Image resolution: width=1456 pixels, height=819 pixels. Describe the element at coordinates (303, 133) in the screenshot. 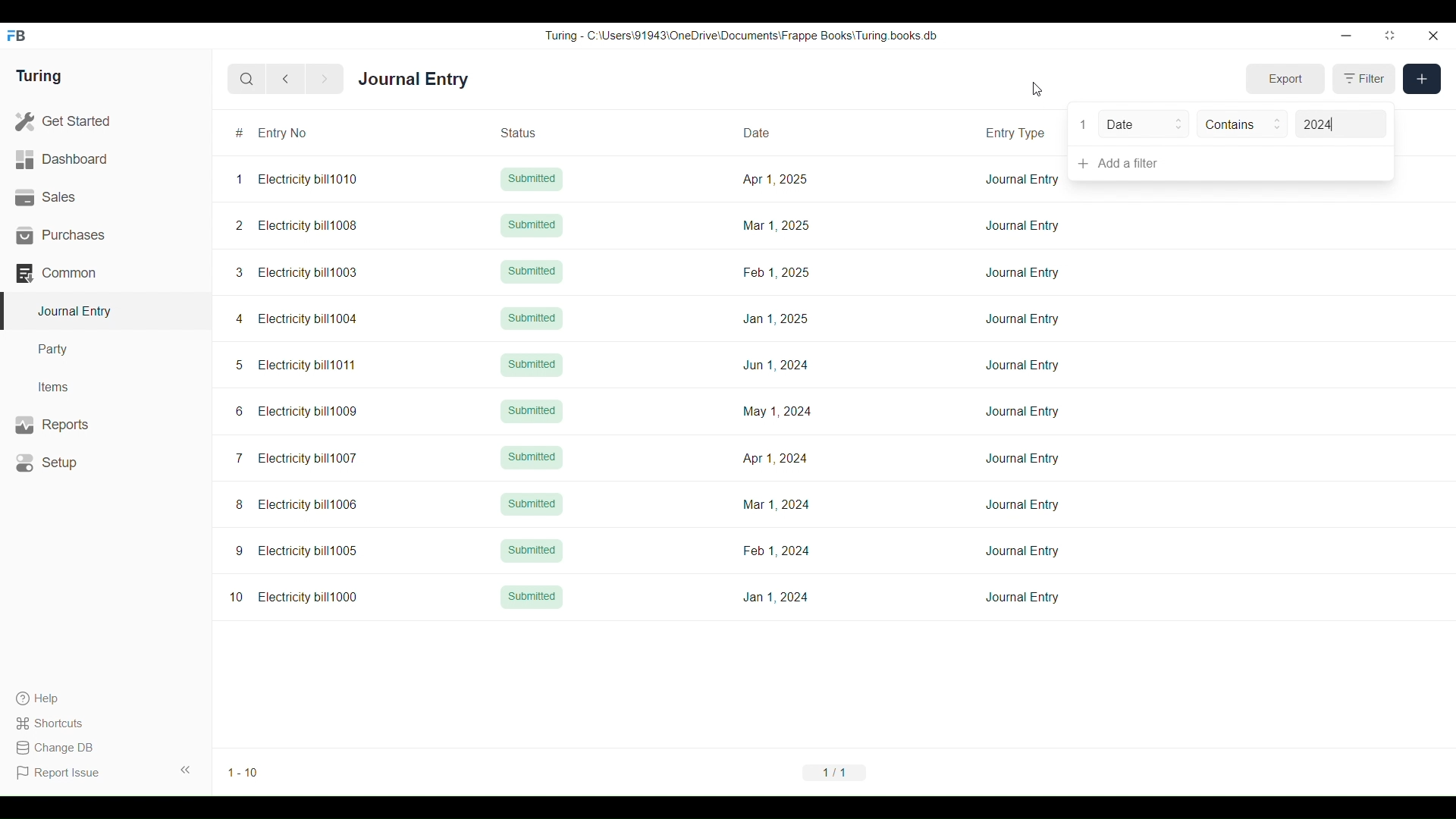

I see `# Entry No` at that location.